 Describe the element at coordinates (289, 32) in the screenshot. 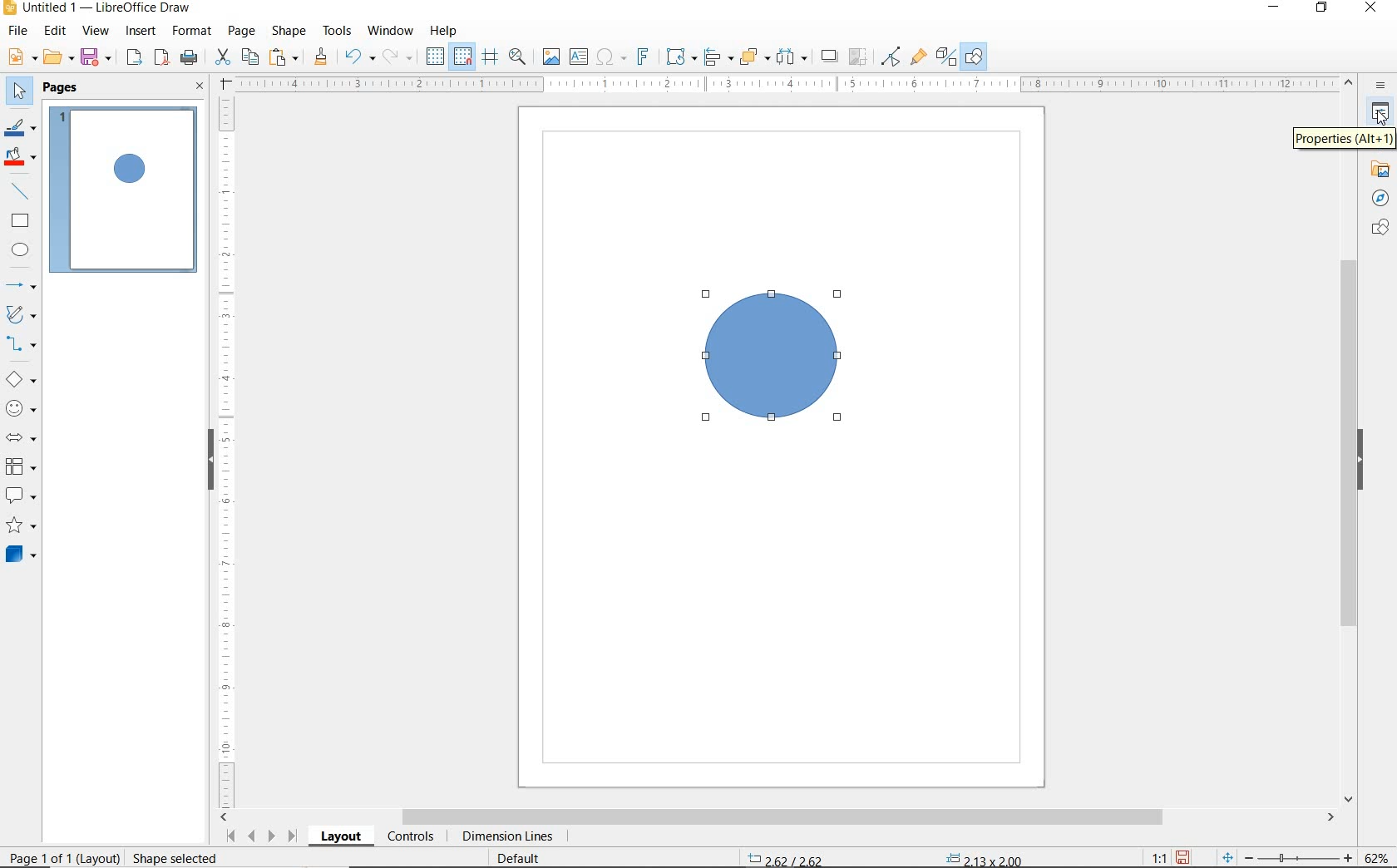

I see `SHAPE` at that location.